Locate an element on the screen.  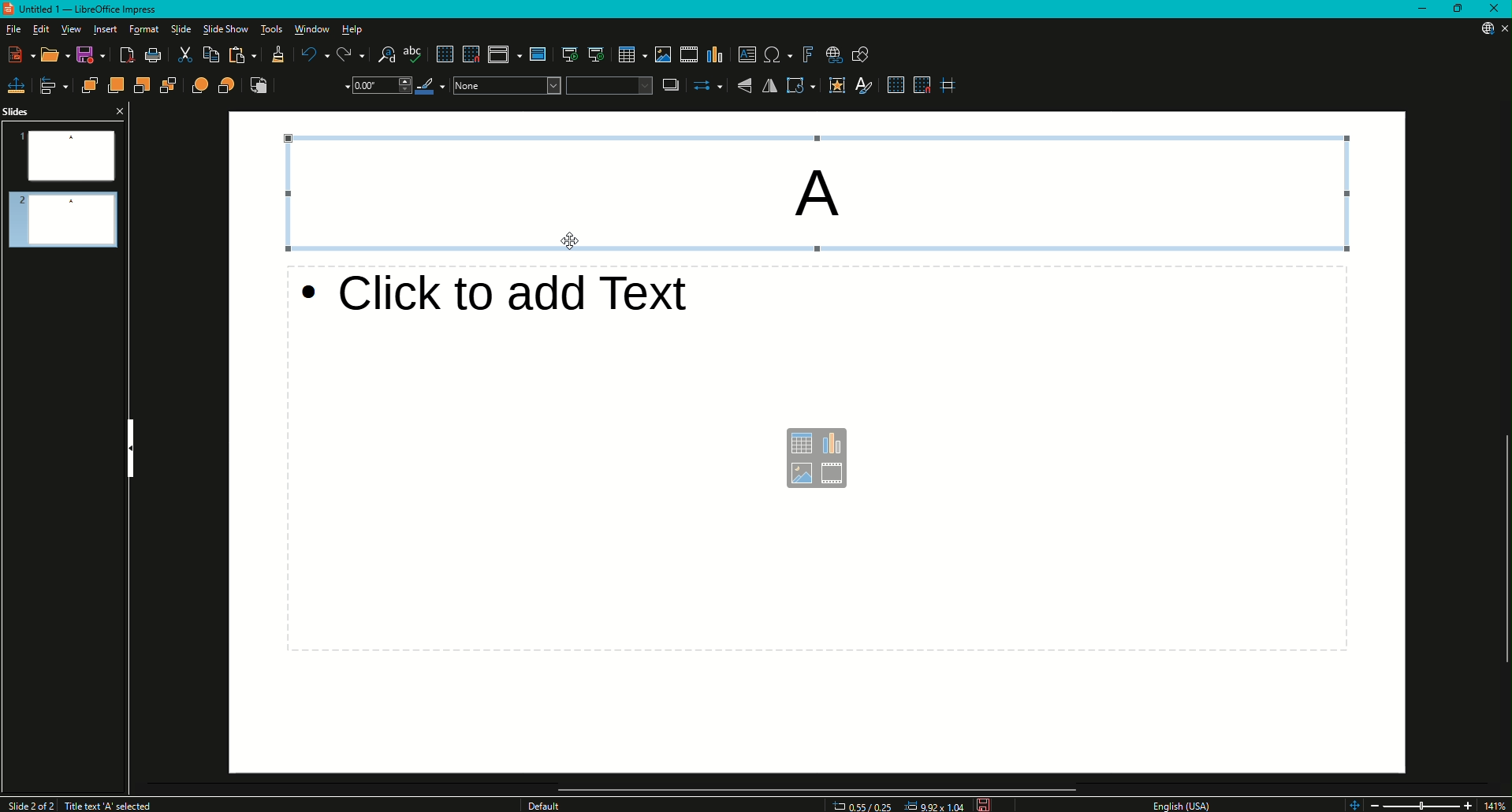
Print is located at coordinates (153, 54).